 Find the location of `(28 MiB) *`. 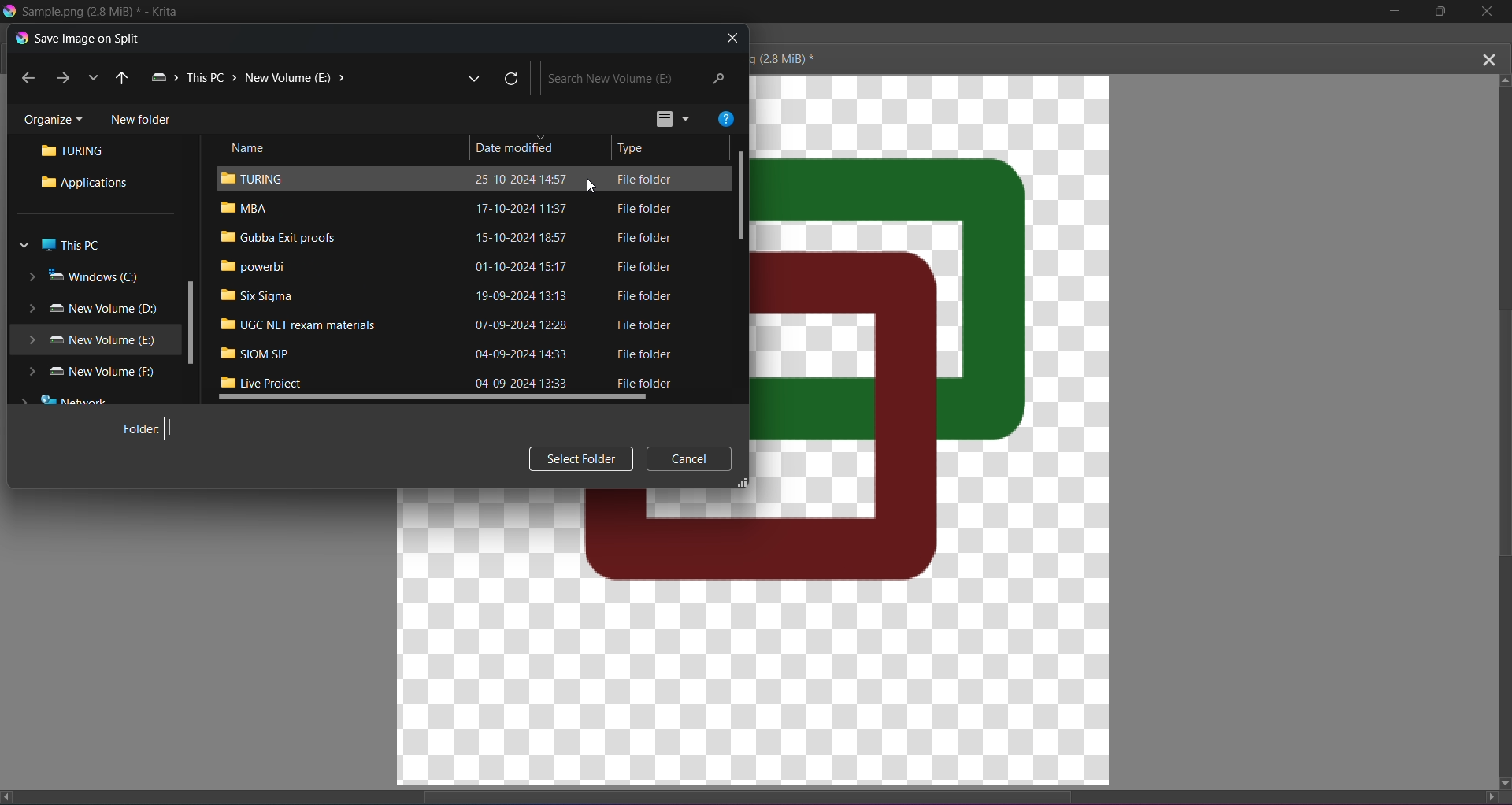

(28 MiB) * is located at coordinates (784, 59).